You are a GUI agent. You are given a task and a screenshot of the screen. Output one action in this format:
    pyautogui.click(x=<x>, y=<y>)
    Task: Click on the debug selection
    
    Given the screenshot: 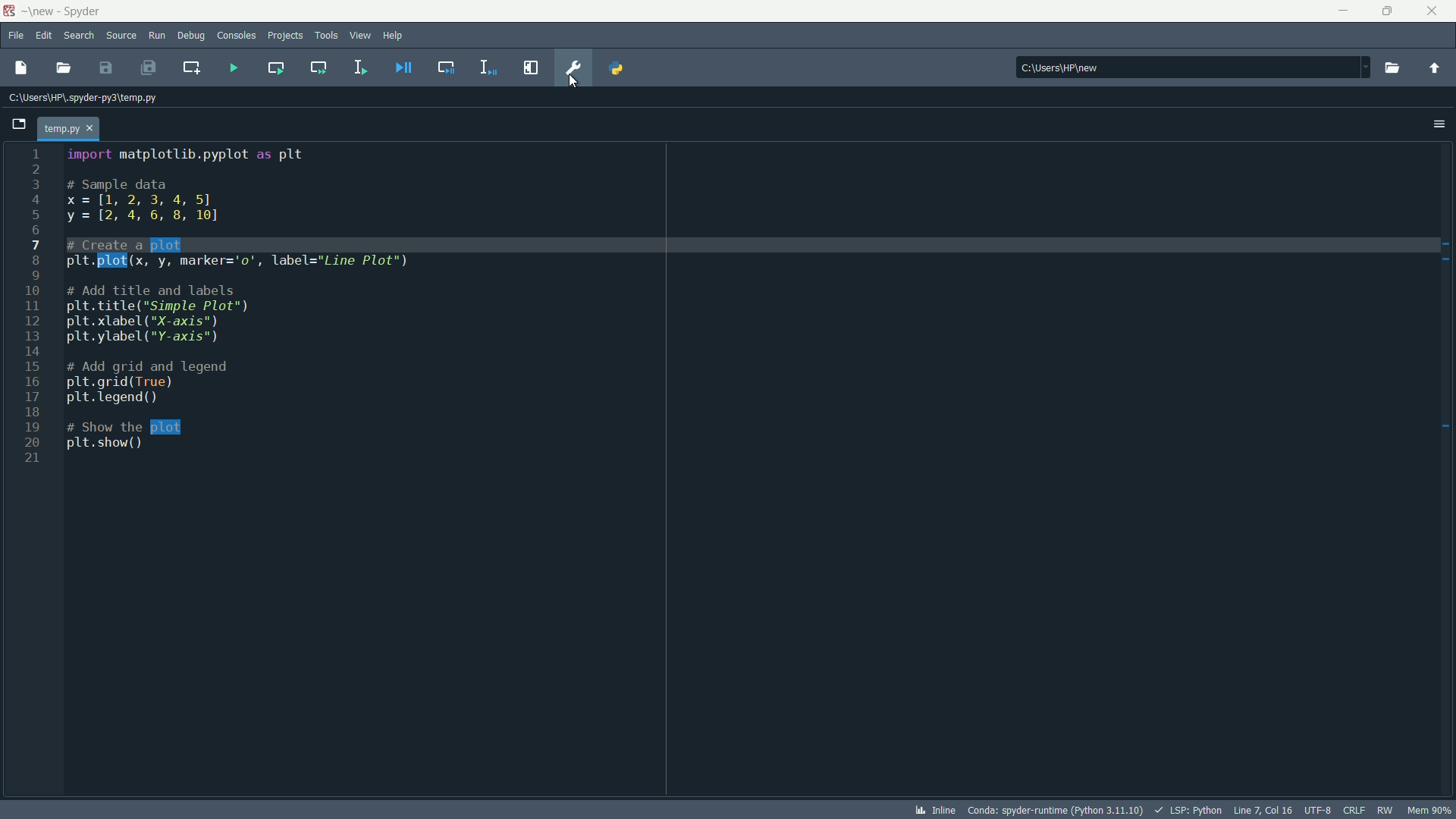 What is the action you would take?
    pyautogui.click(x=489, y=67)
    